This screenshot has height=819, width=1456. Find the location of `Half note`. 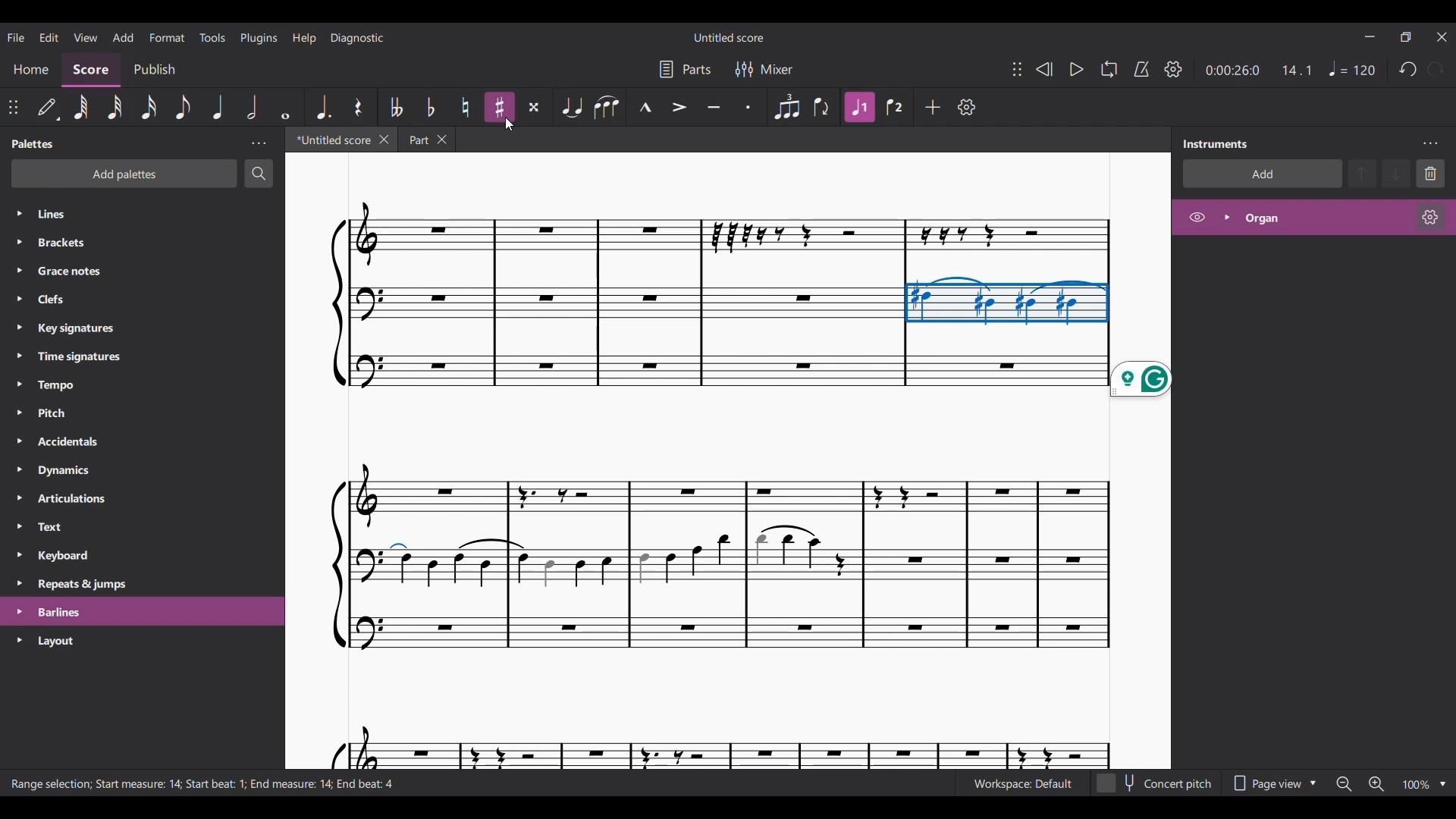

Half note is located at coordinates (253, 108).